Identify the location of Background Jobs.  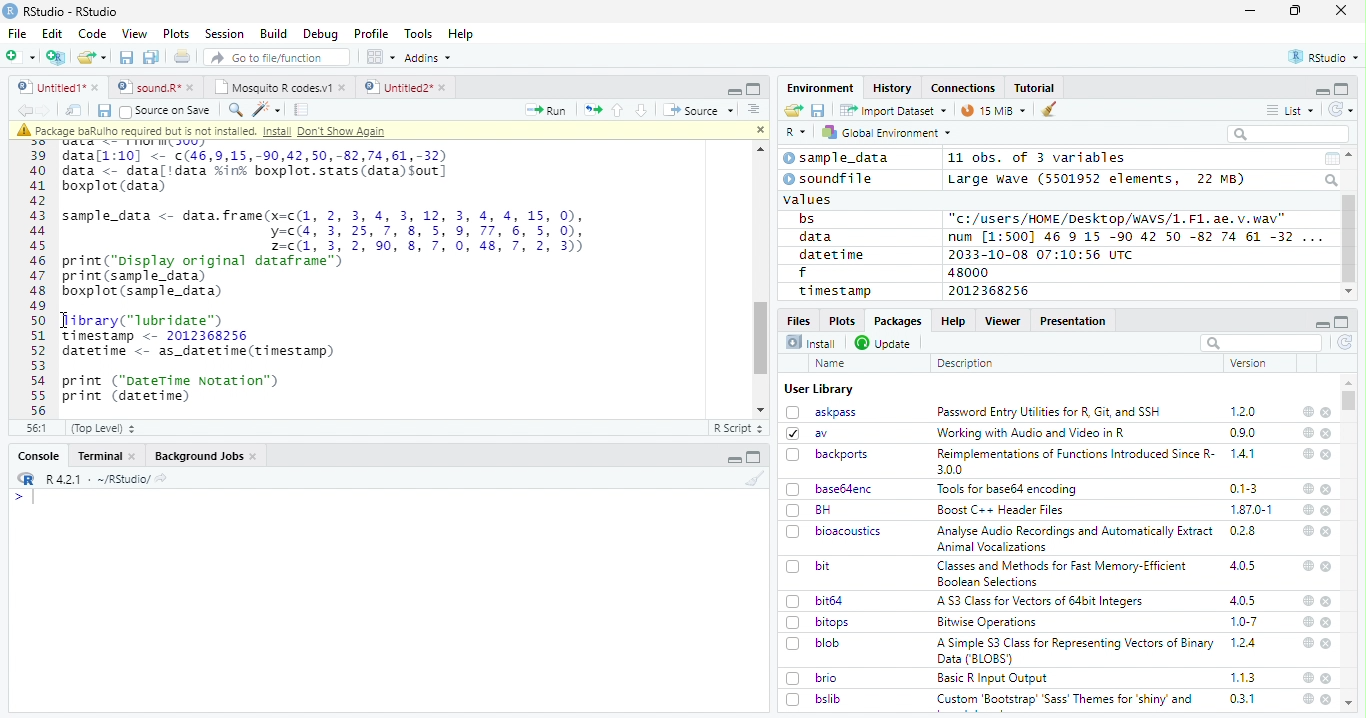
(206, 456).